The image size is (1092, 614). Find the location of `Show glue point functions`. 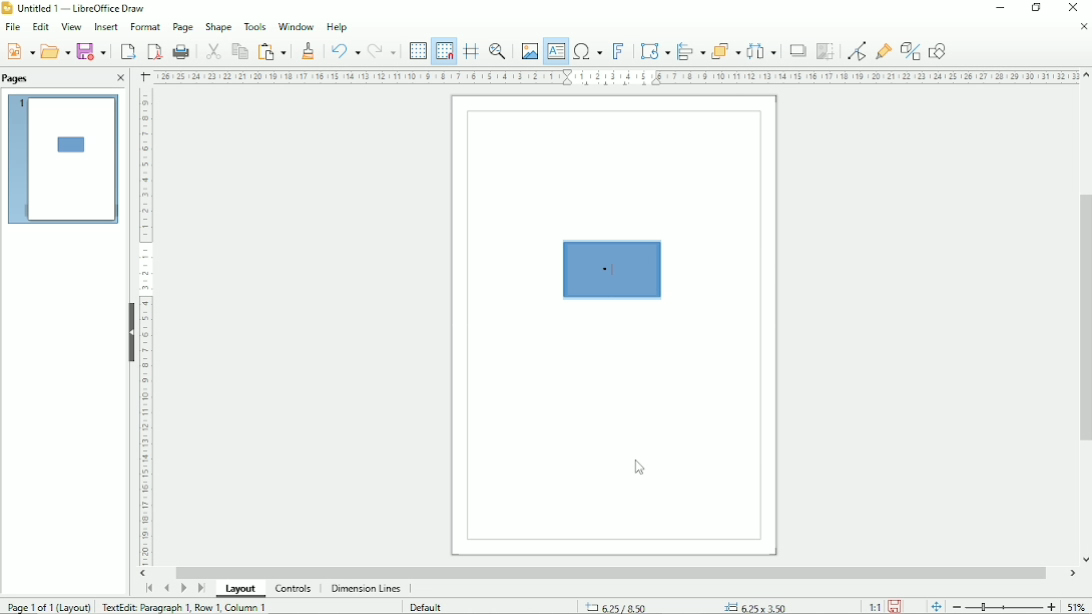

Show glue point functions is located at coordinates (885, 48).